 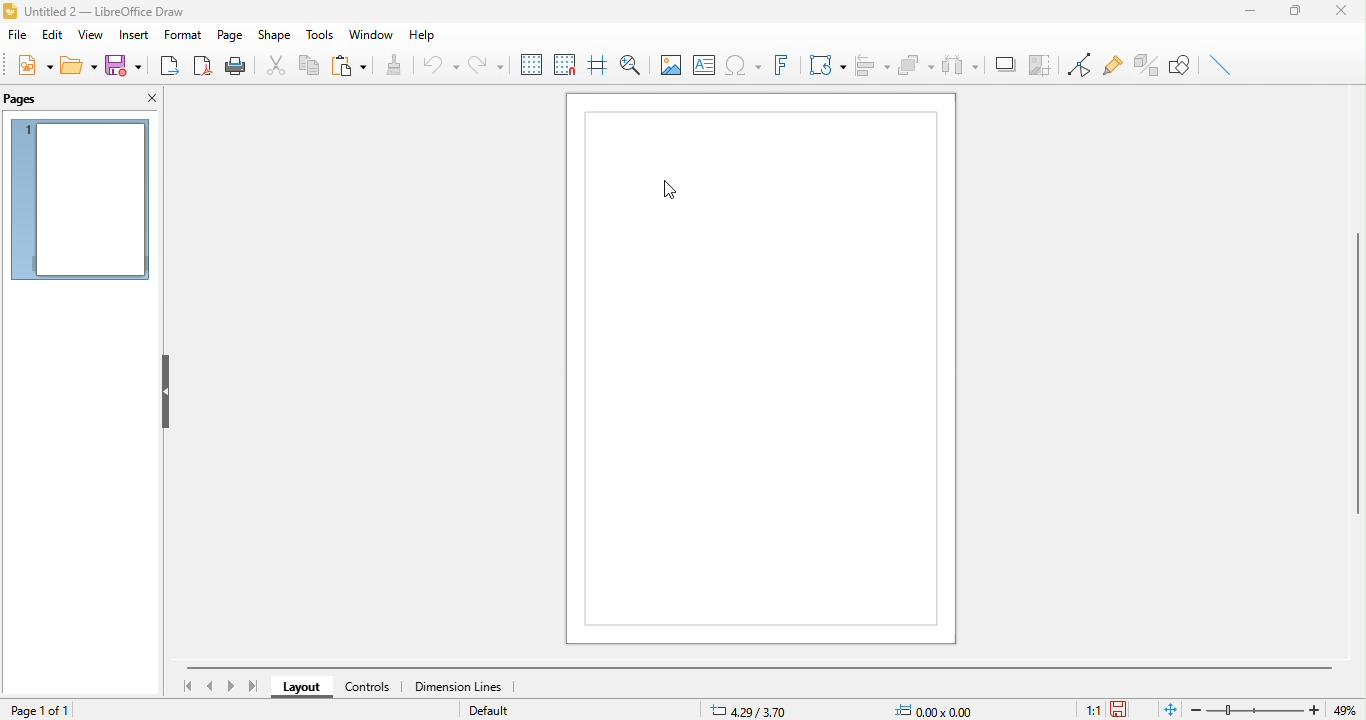 I want to click on close, so click(x=146, y=97).